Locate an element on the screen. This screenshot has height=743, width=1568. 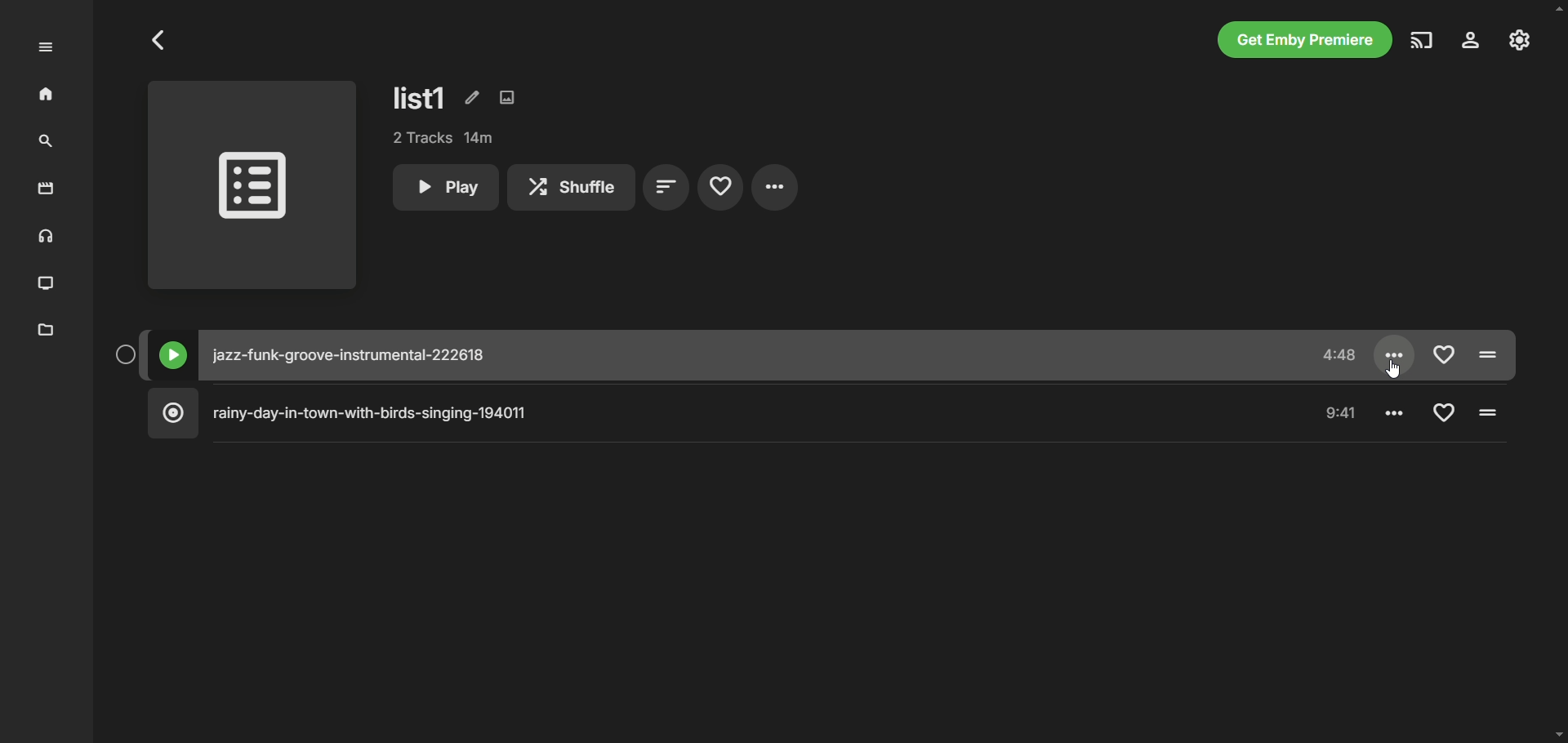
home is located at coordinates (47, 95).